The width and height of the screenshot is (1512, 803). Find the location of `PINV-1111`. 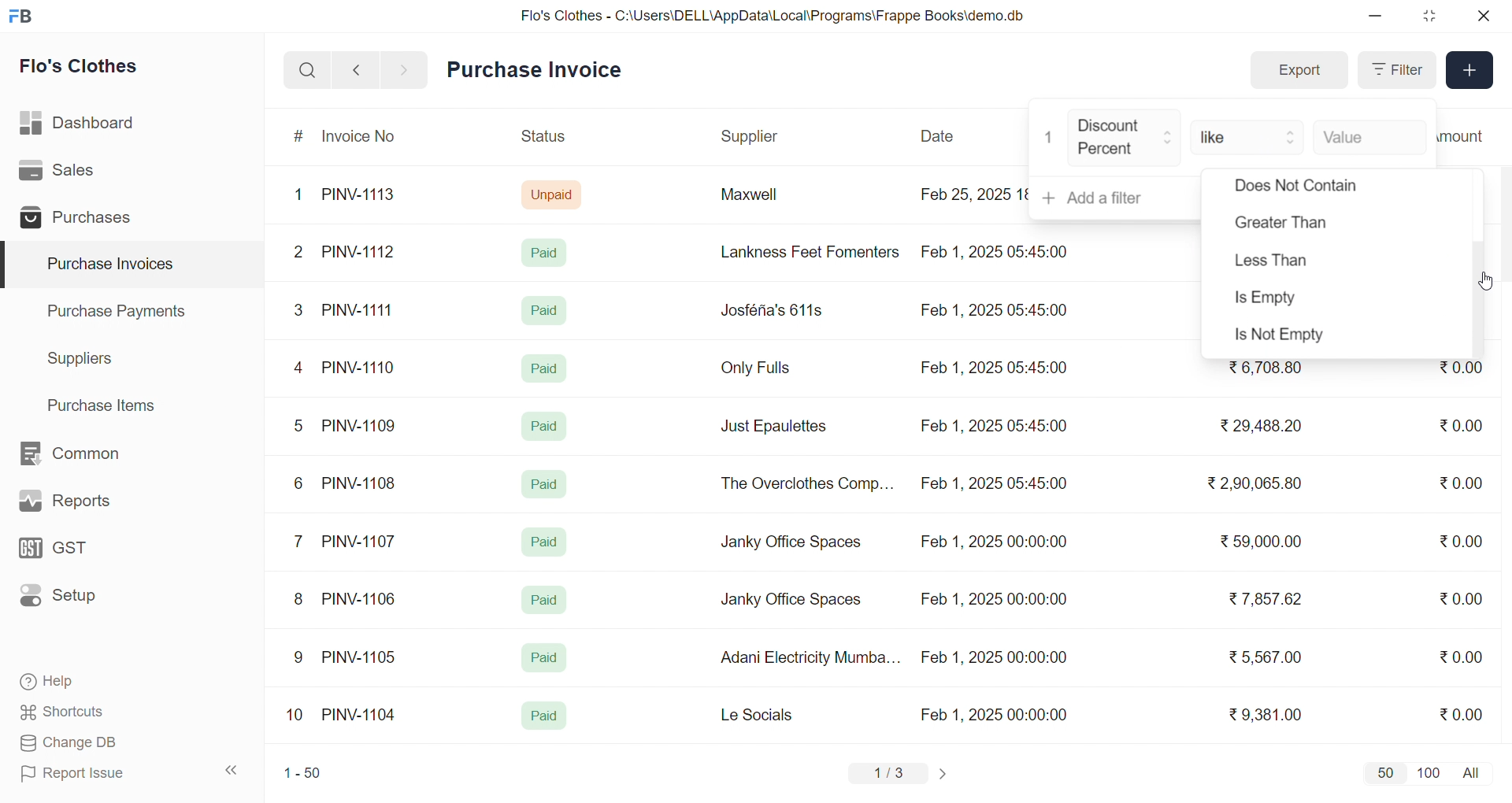

PINV-1111 is located at coordinates (359, 309).